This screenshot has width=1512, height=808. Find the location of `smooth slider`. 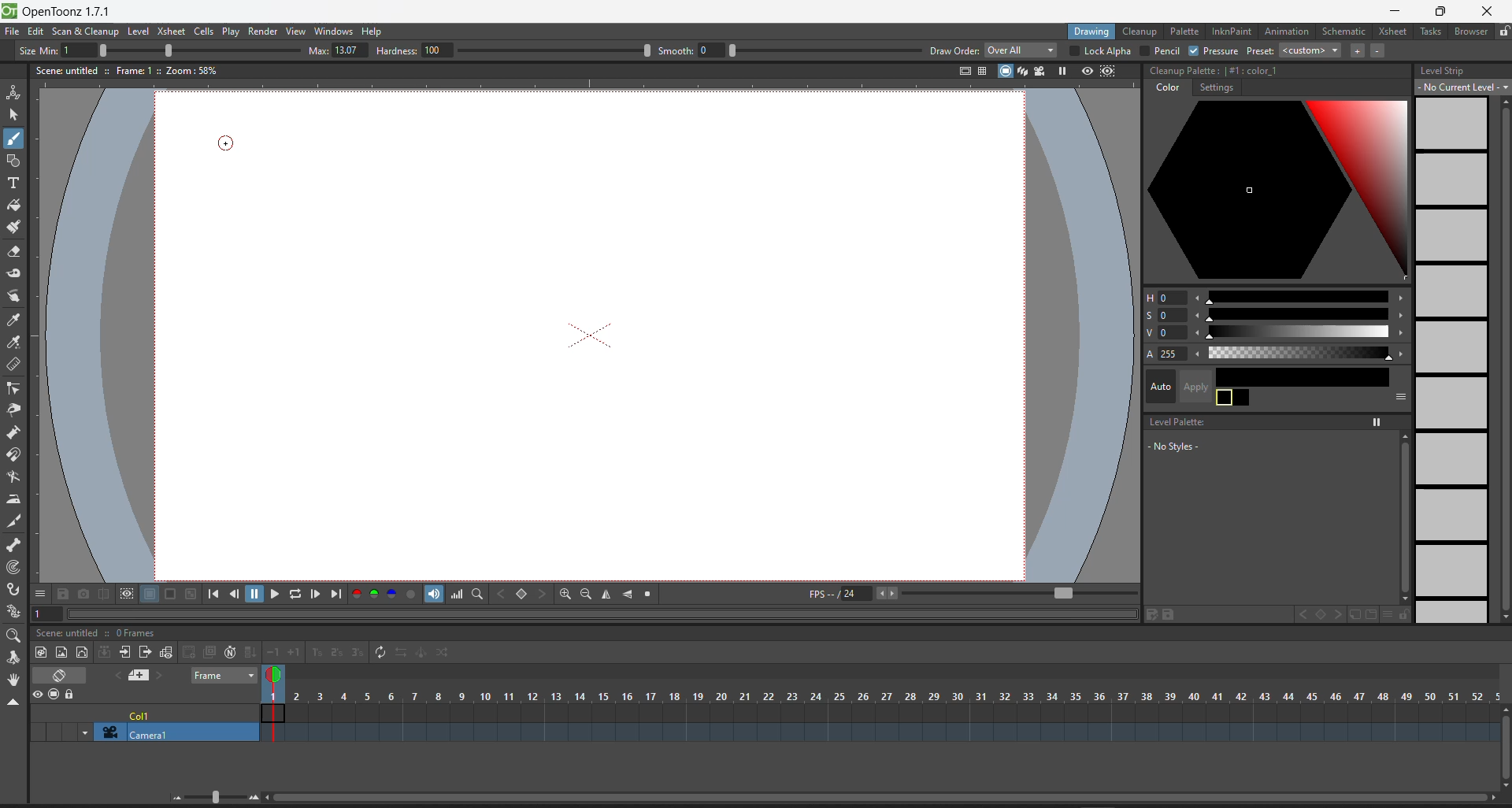

smooth slider is located at coordinates (790, 50).